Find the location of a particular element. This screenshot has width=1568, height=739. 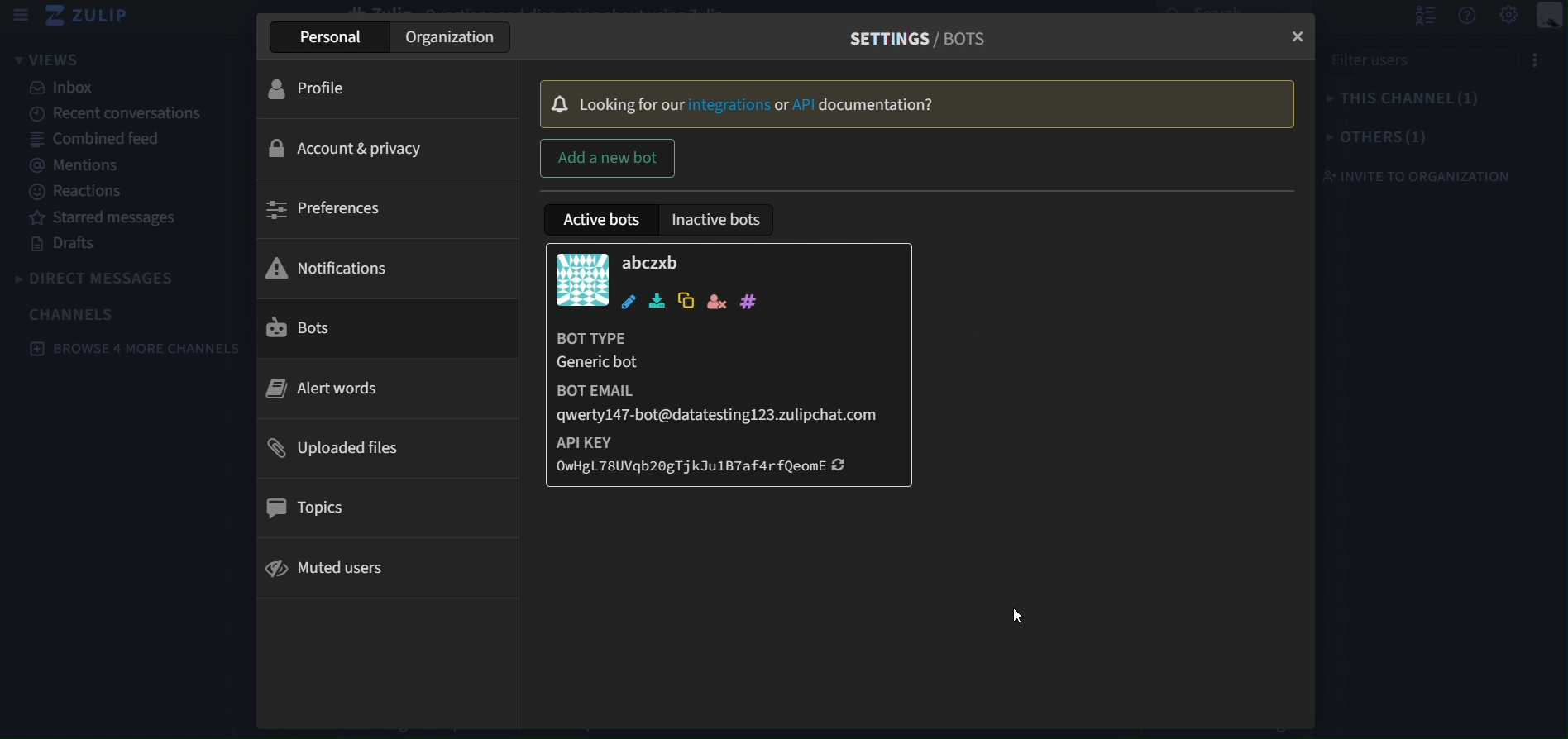

main menu is located at coordinates (1549, 17).